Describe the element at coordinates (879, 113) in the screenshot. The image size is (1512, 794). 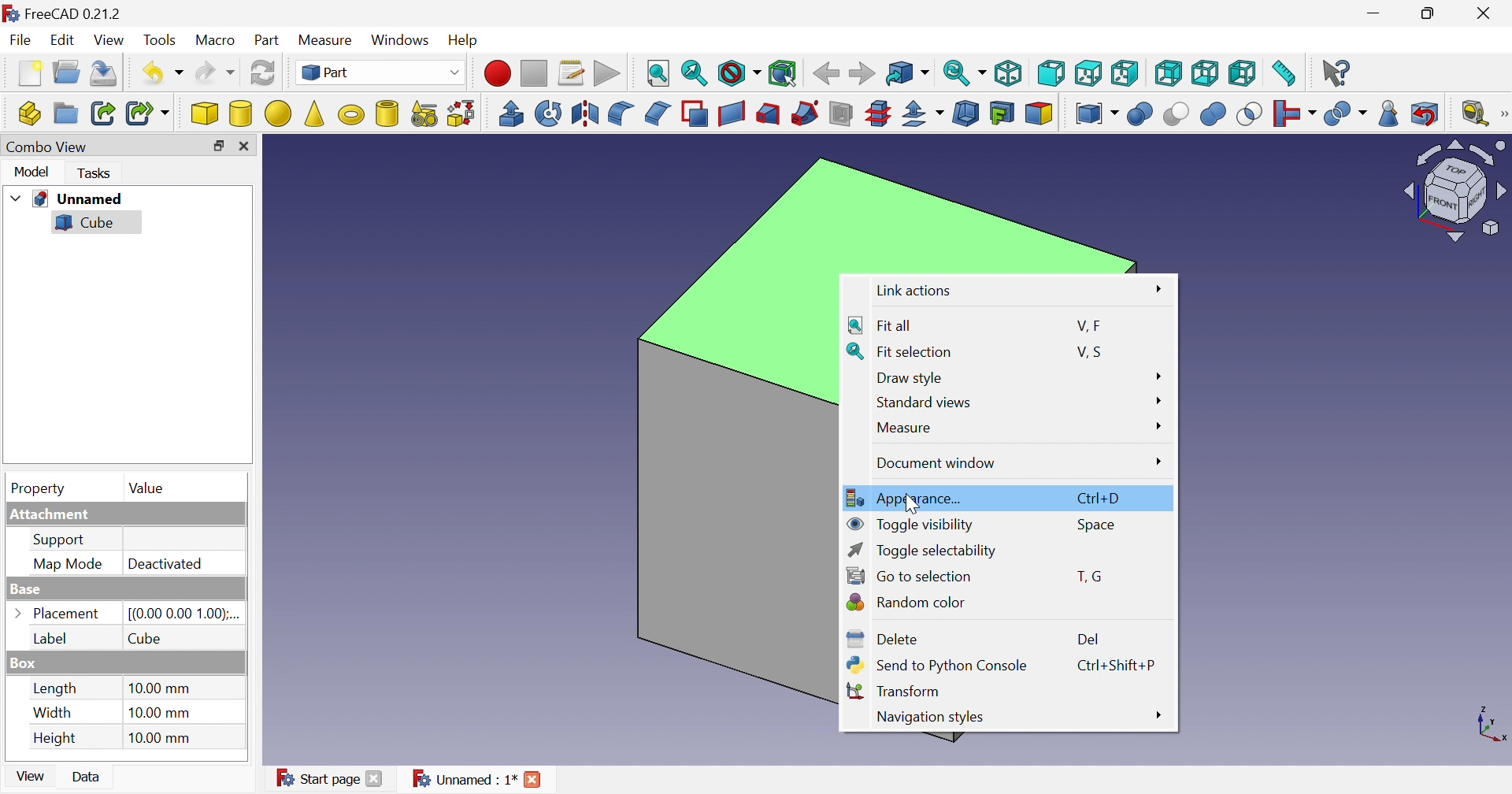
I see `Cross-sections` at that location.